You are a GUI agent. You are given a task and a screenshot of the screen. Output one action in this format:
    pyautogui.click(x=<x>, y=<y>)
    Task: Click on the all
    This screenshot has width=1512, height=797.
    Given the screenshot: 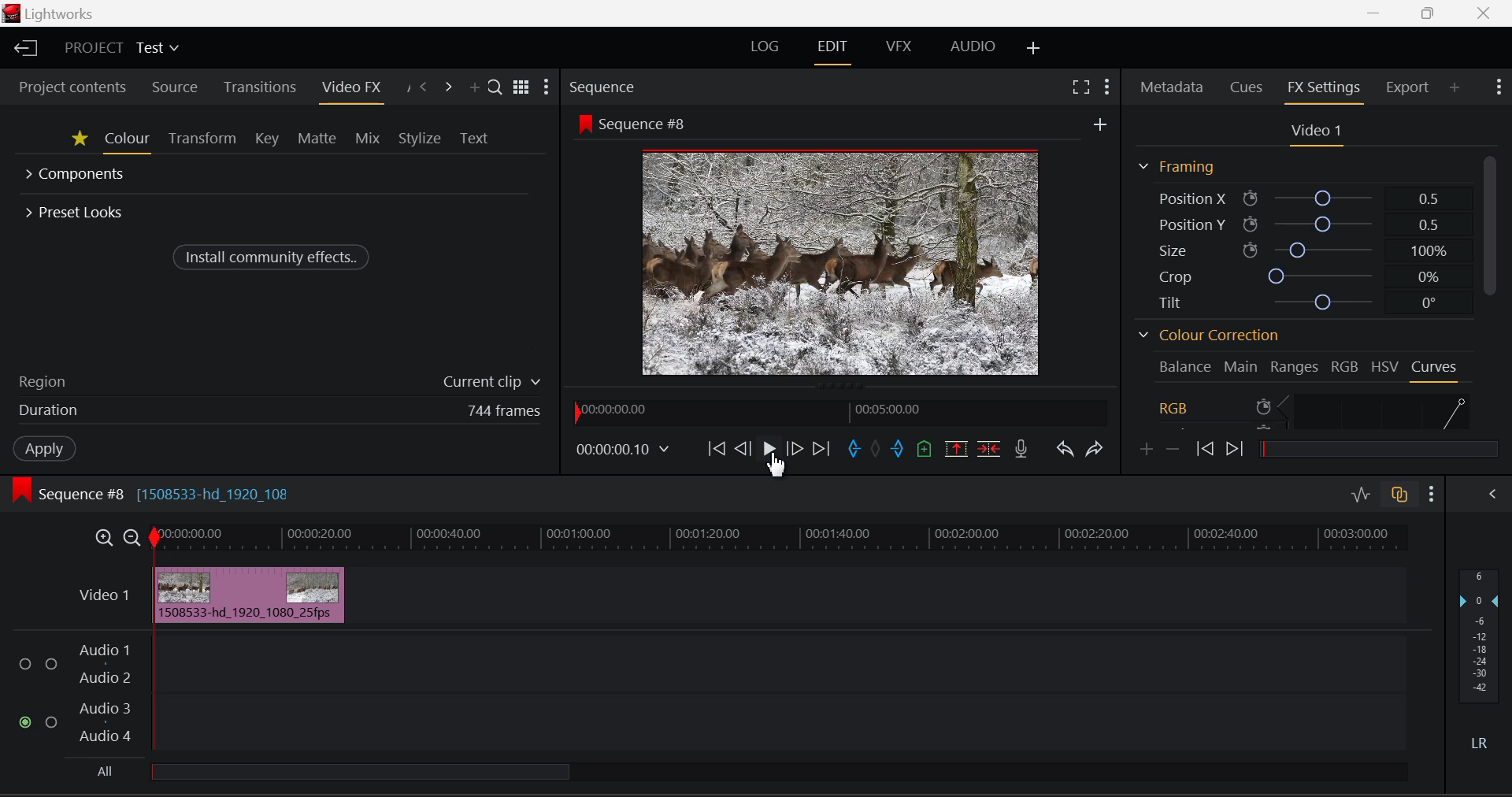 What is the action you would take?
    pyautogui.click(x=417, y=773)
    